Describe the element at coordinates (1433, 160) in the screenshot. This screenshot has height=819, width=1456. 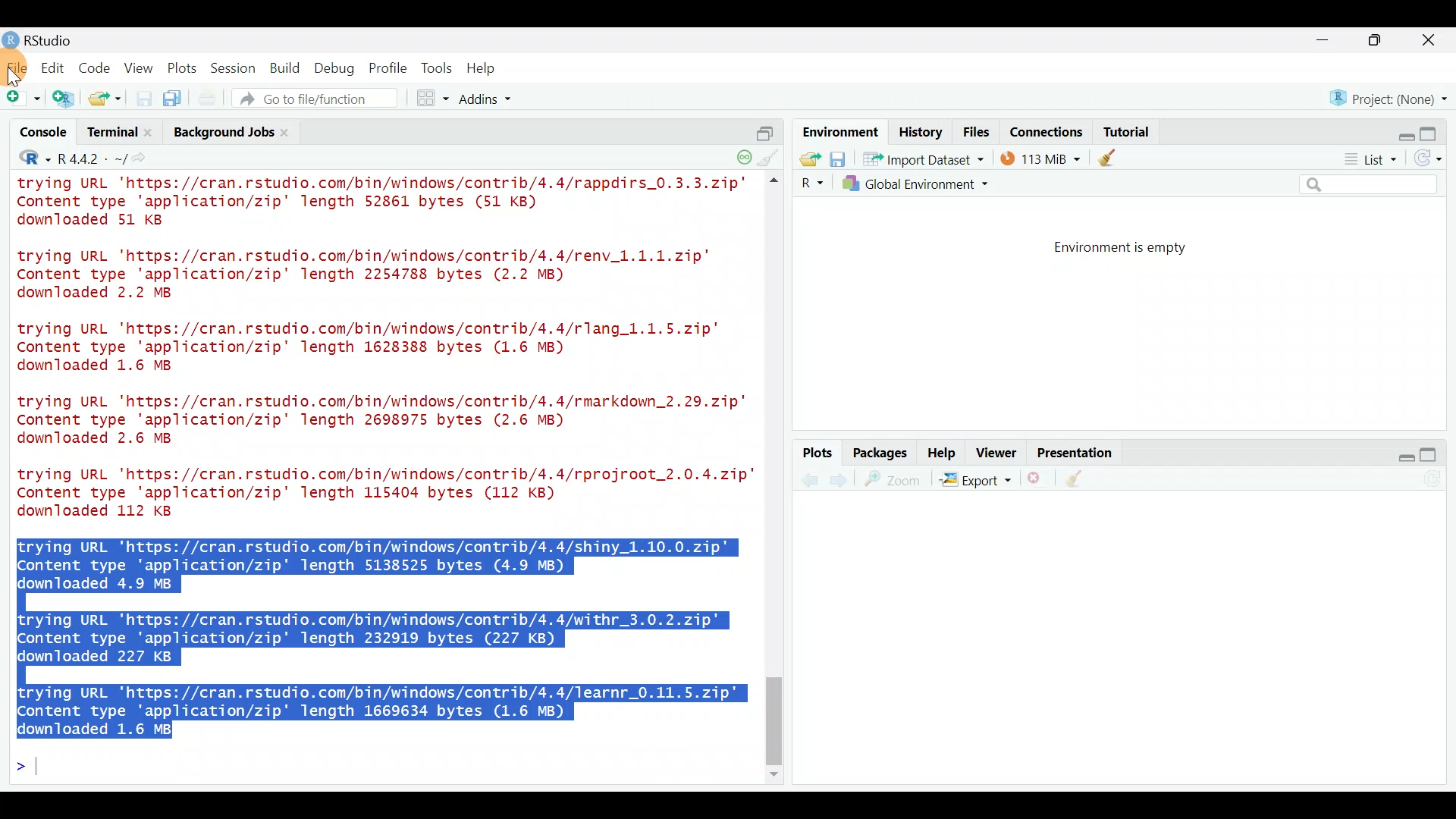
I see `Refresh list of objects in the environment` at that location.